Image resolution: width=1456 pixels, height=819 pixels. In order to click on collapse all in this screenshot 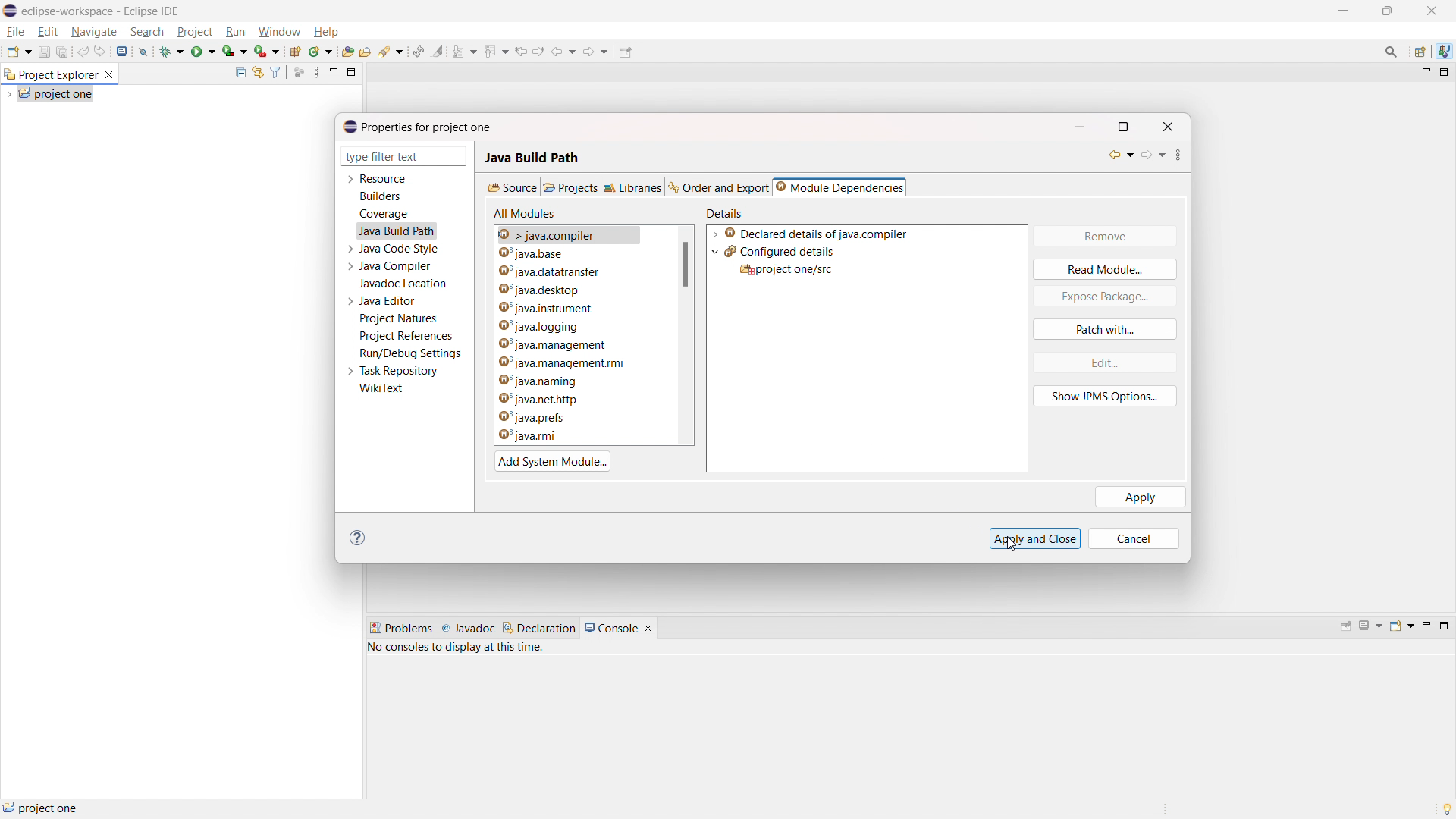, I will do `click(240, 72)`.